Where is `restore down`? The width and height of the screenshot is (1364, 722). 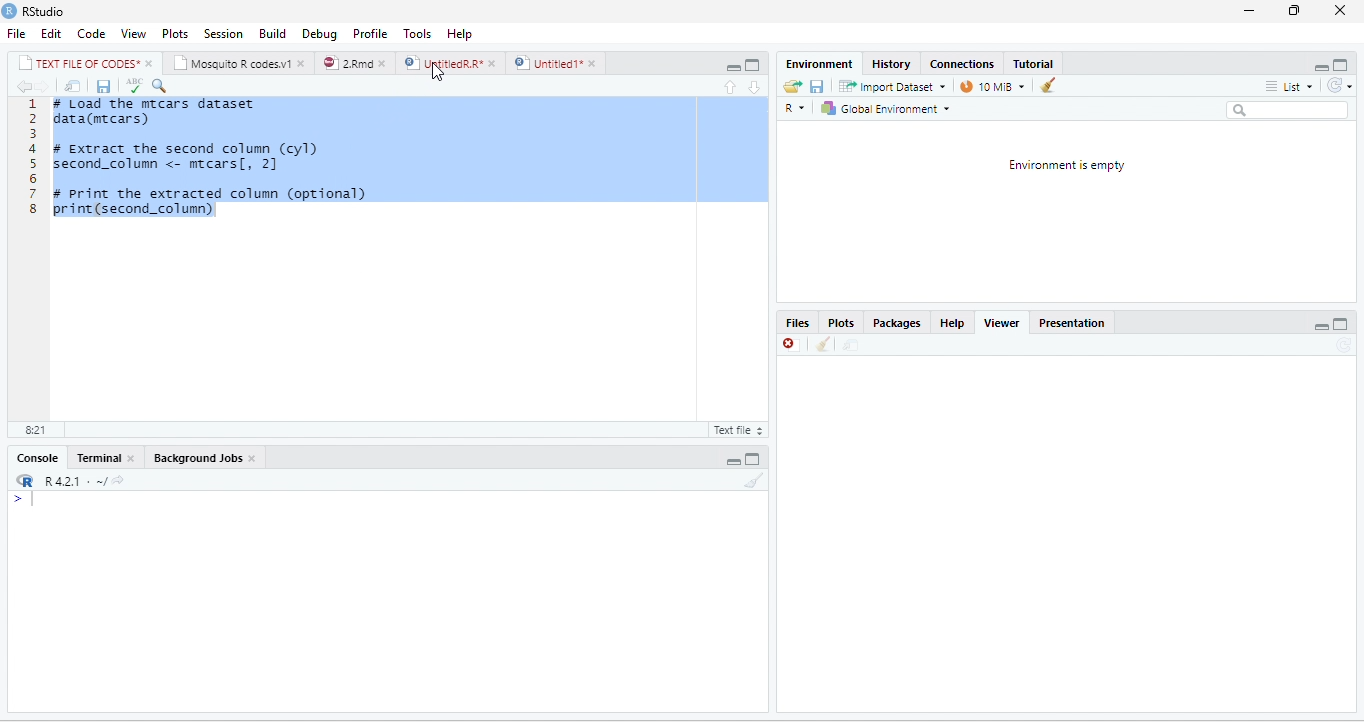 restore down is located at coordinates (1292, 12).